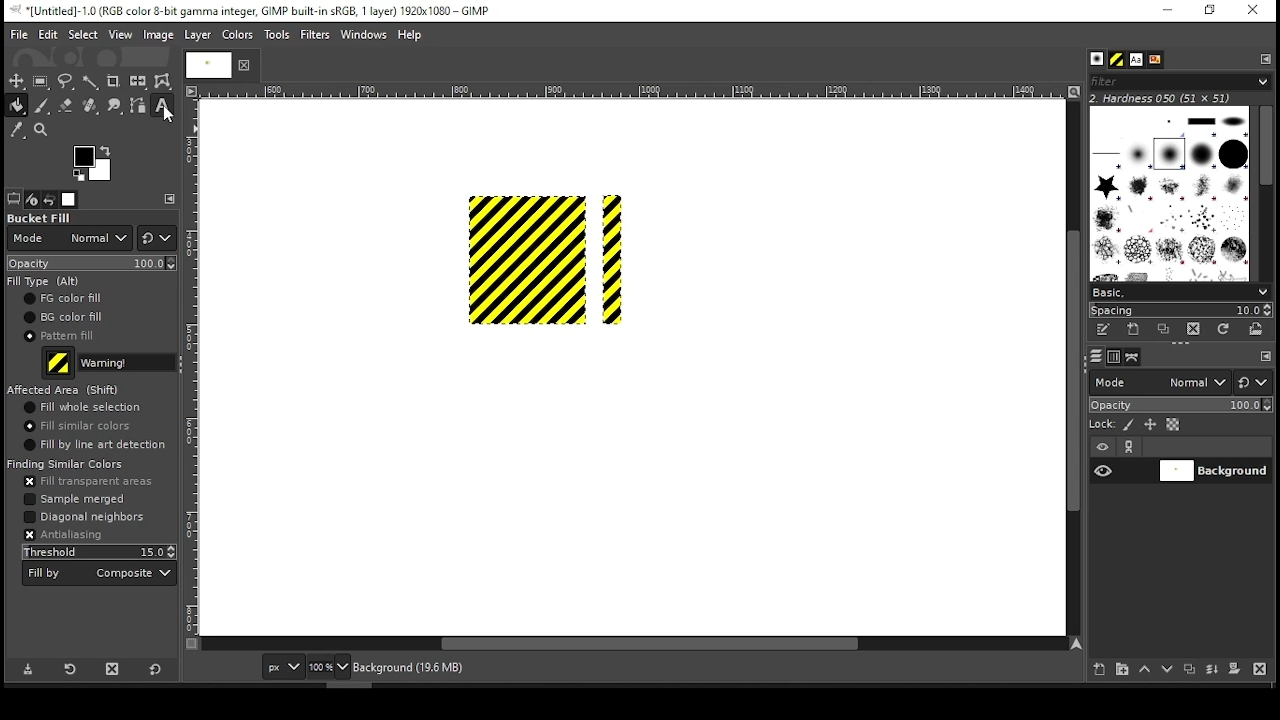 The image size is (1280, 720). I want to click on 2. hardness 050 (51x51), so click(1166, 98).